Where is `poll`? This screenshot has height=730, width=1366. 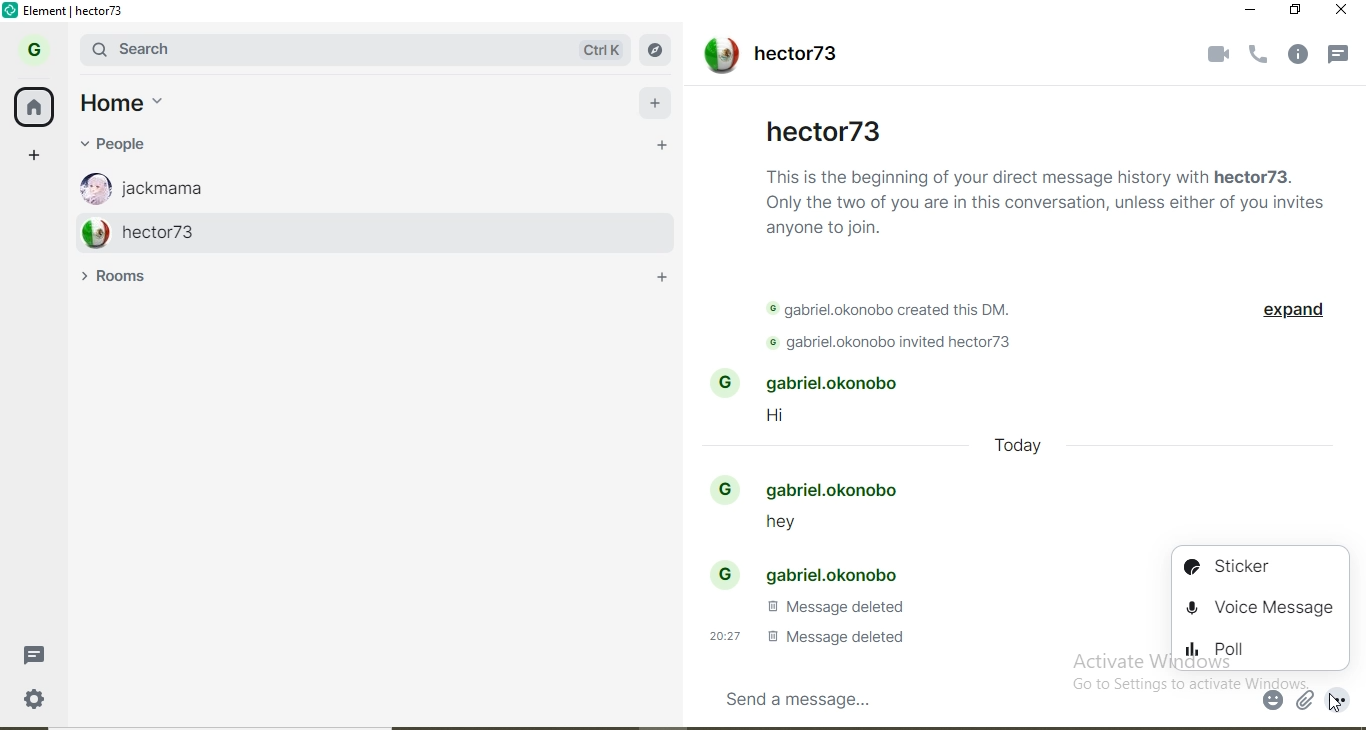
poll is located at coordinates (1259, 649).